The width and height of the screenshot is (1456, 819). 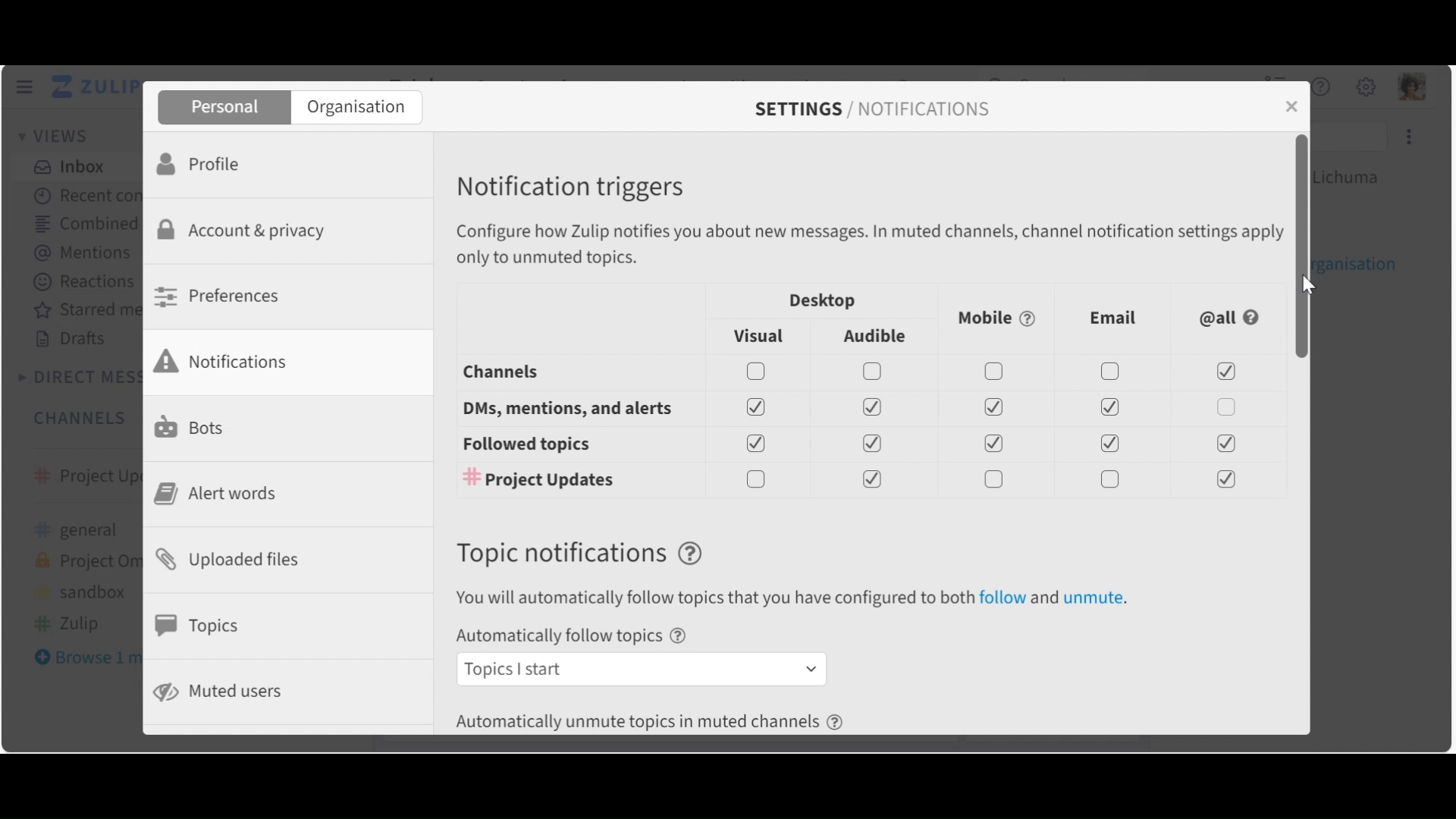 I want to click on Bots, so click(x=193, y=425).